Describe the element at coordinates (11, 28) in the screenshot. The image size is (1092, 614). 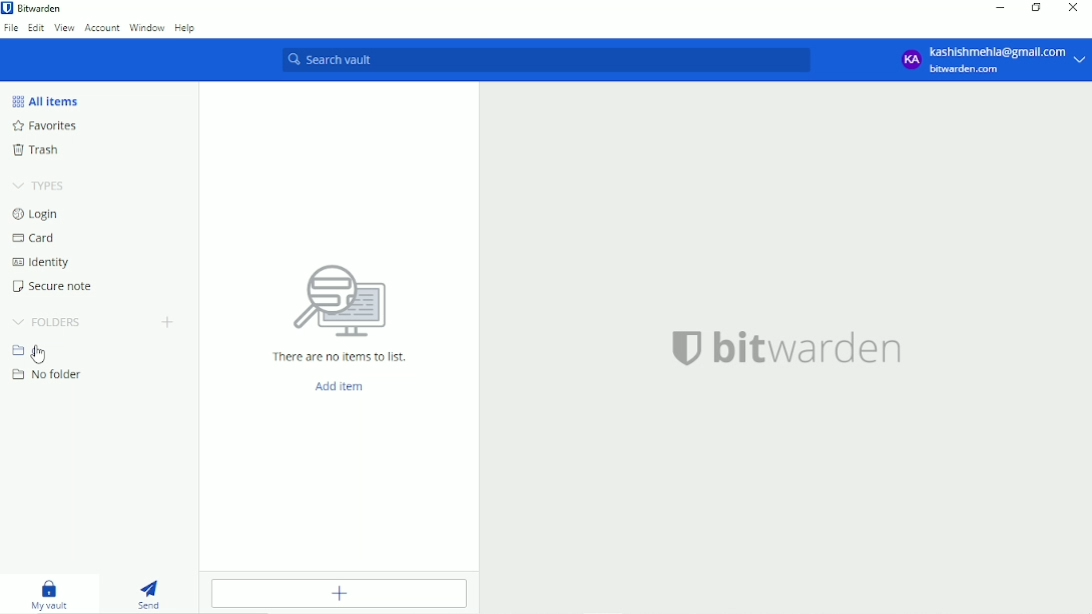
I see `File` at that location.